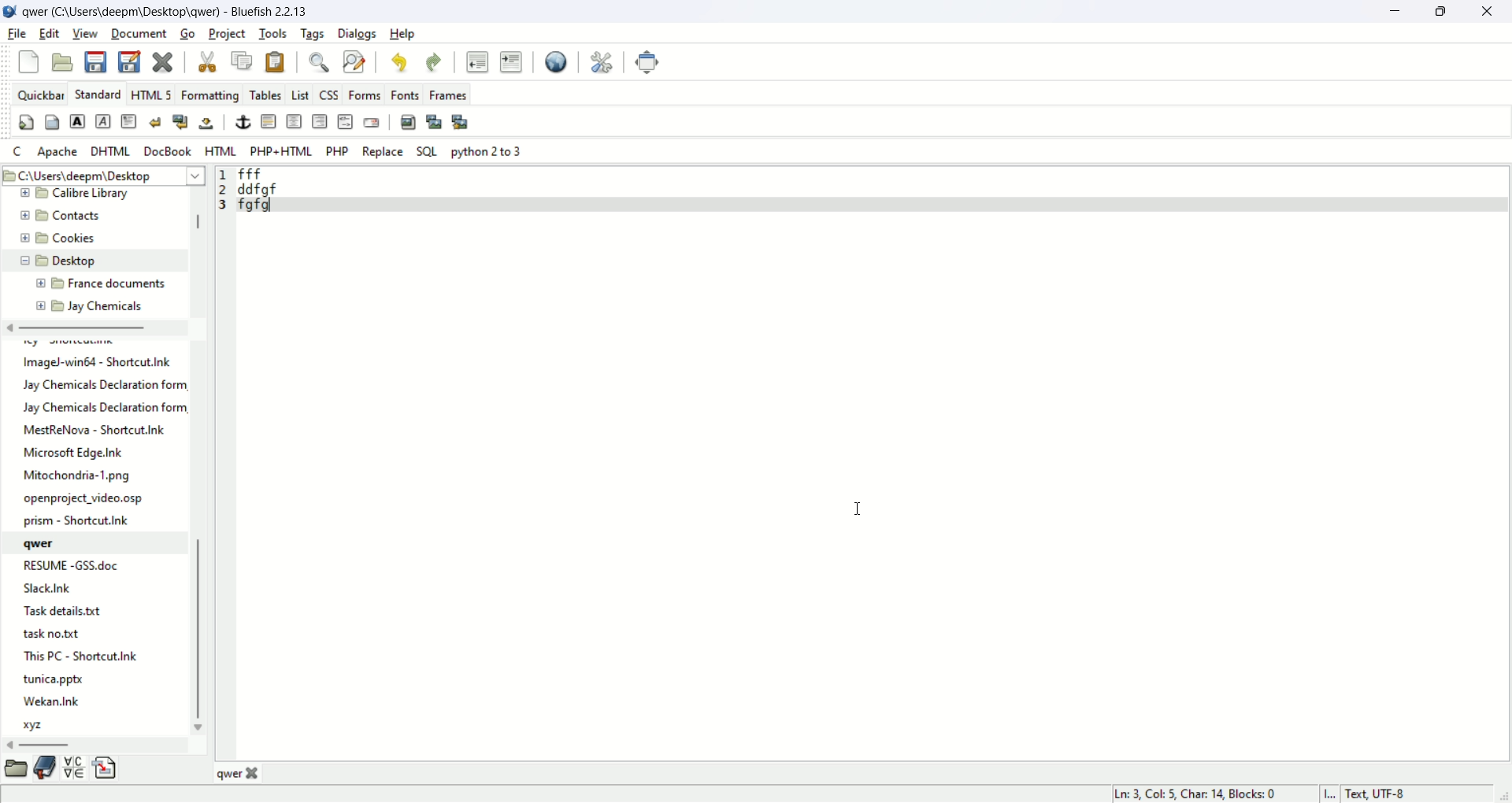 This screenshot has width=1512, height=803. What do you see at coordinates (87, 655) in the screenshot?
I see `This PC-shortcut link` at bounding box center [87, 655].